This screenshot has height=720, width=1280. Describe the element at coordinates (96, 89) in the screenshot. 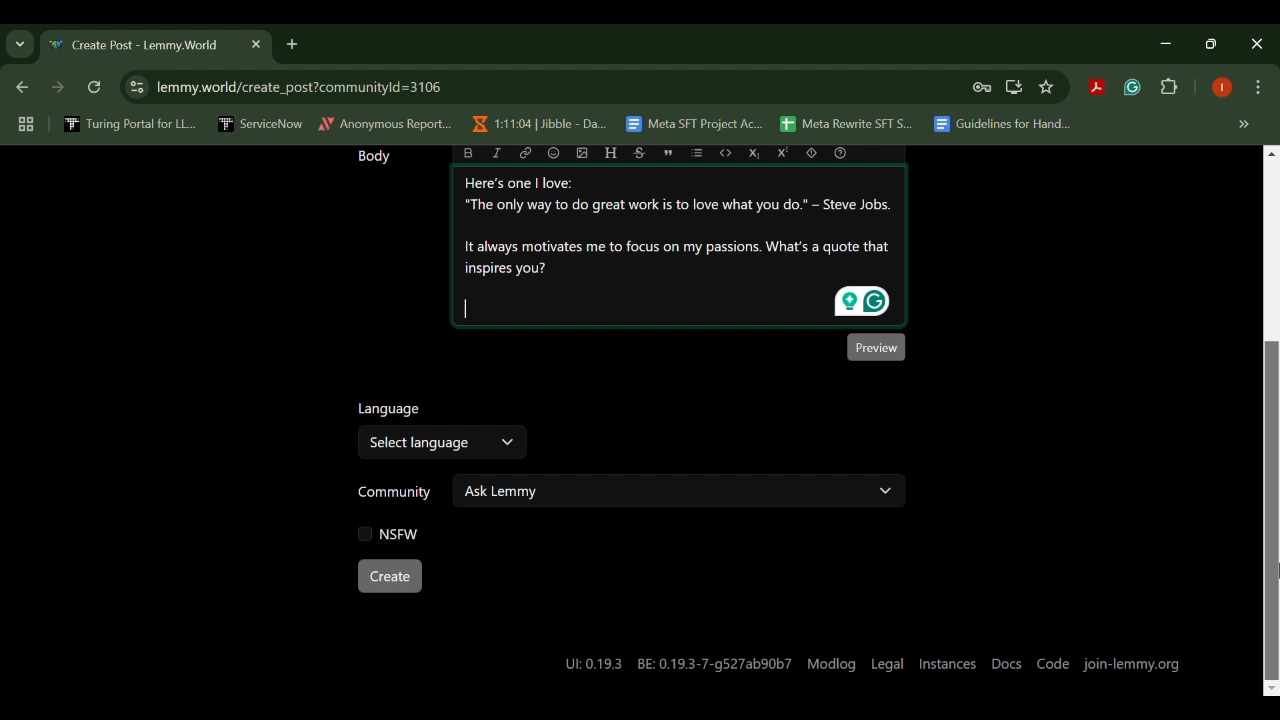

I see `Refresh Webpage` at that location.